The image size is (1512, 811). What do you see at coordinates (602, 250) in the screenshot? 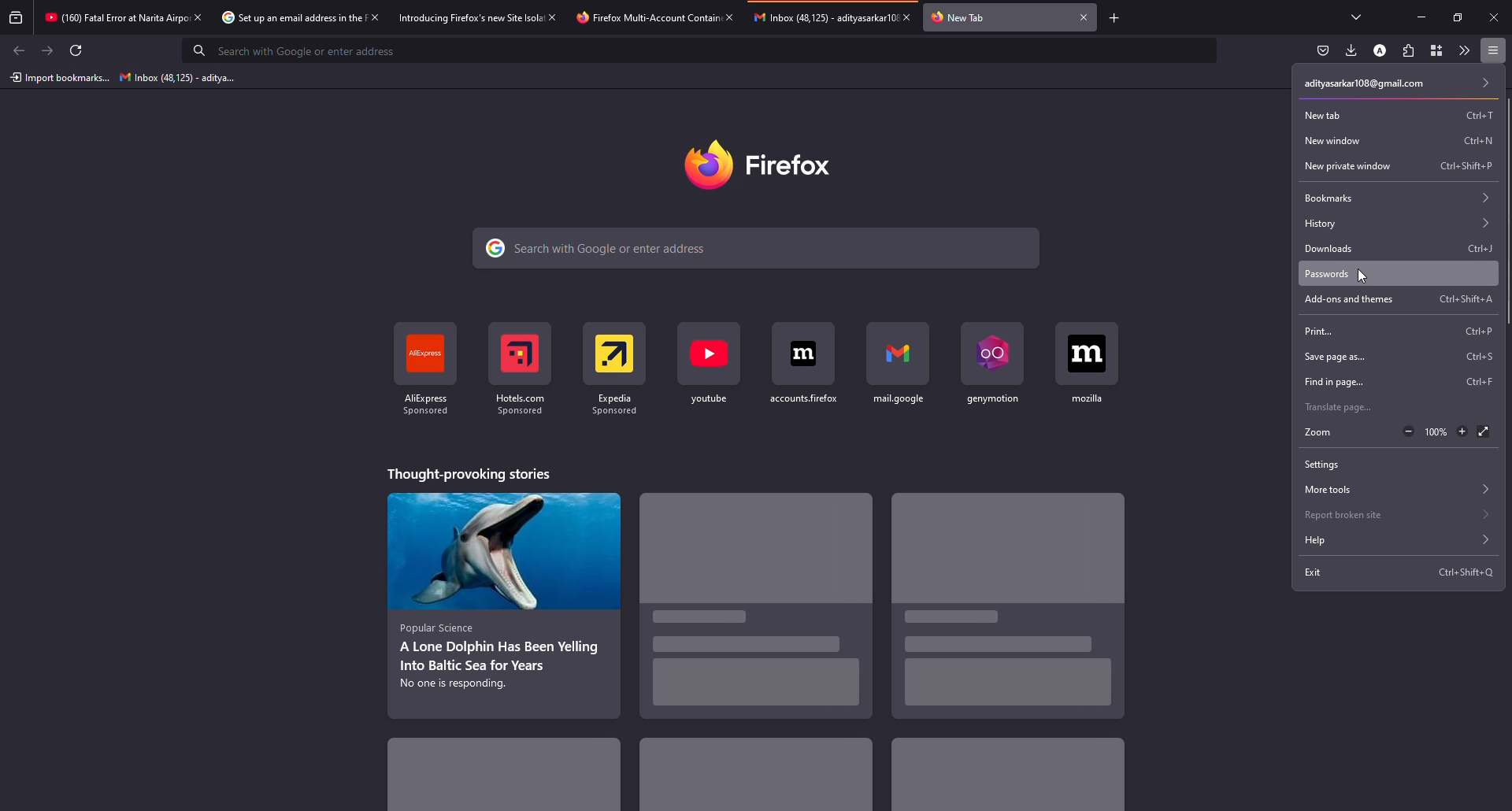
I see `search` at bounding box center [602, 250].